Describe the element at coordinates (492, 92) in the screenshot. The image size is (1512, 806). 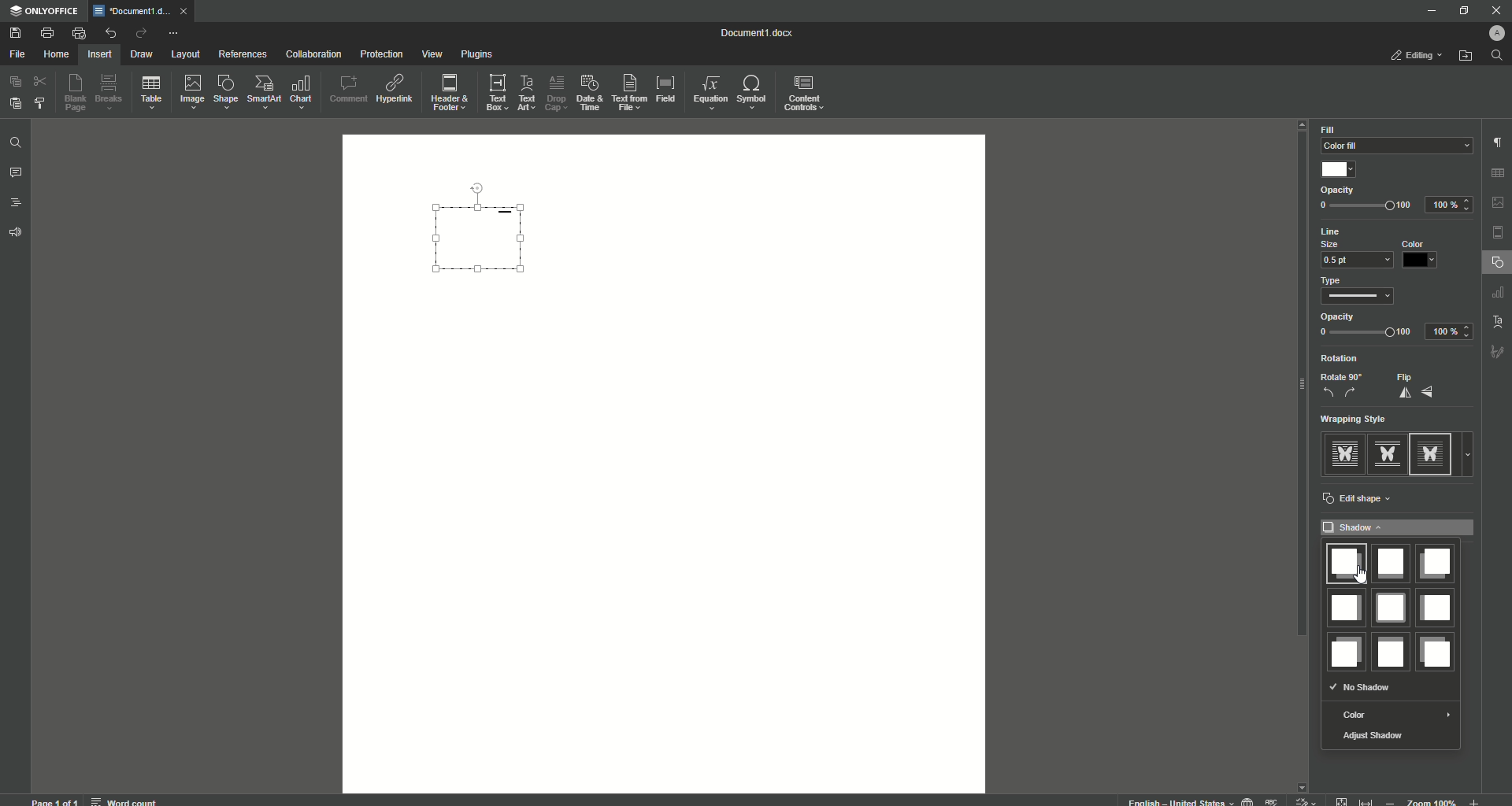
I see `Text Box` at that location.